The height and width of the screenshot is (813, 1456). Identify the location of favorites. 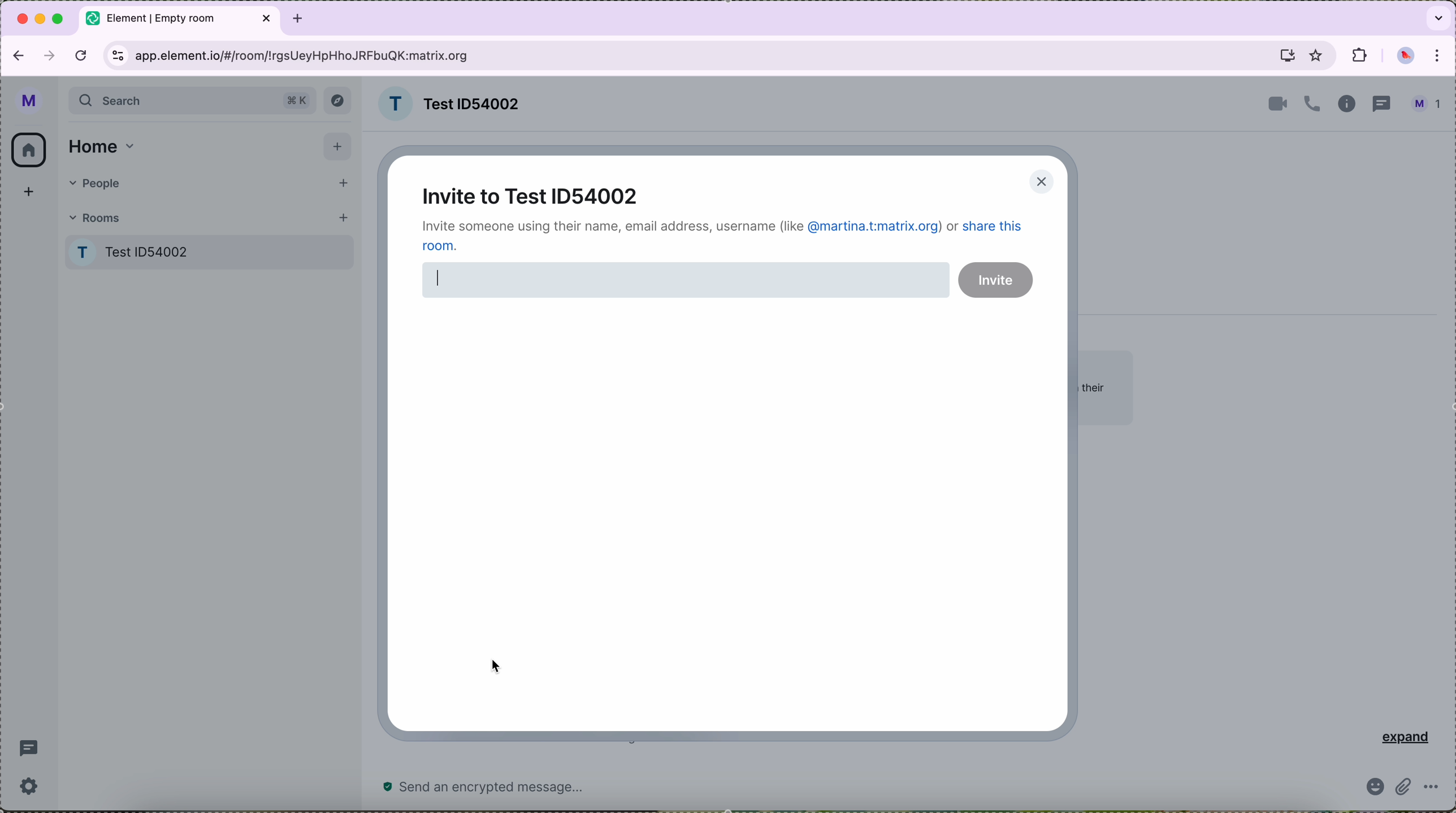
(1316, 55).